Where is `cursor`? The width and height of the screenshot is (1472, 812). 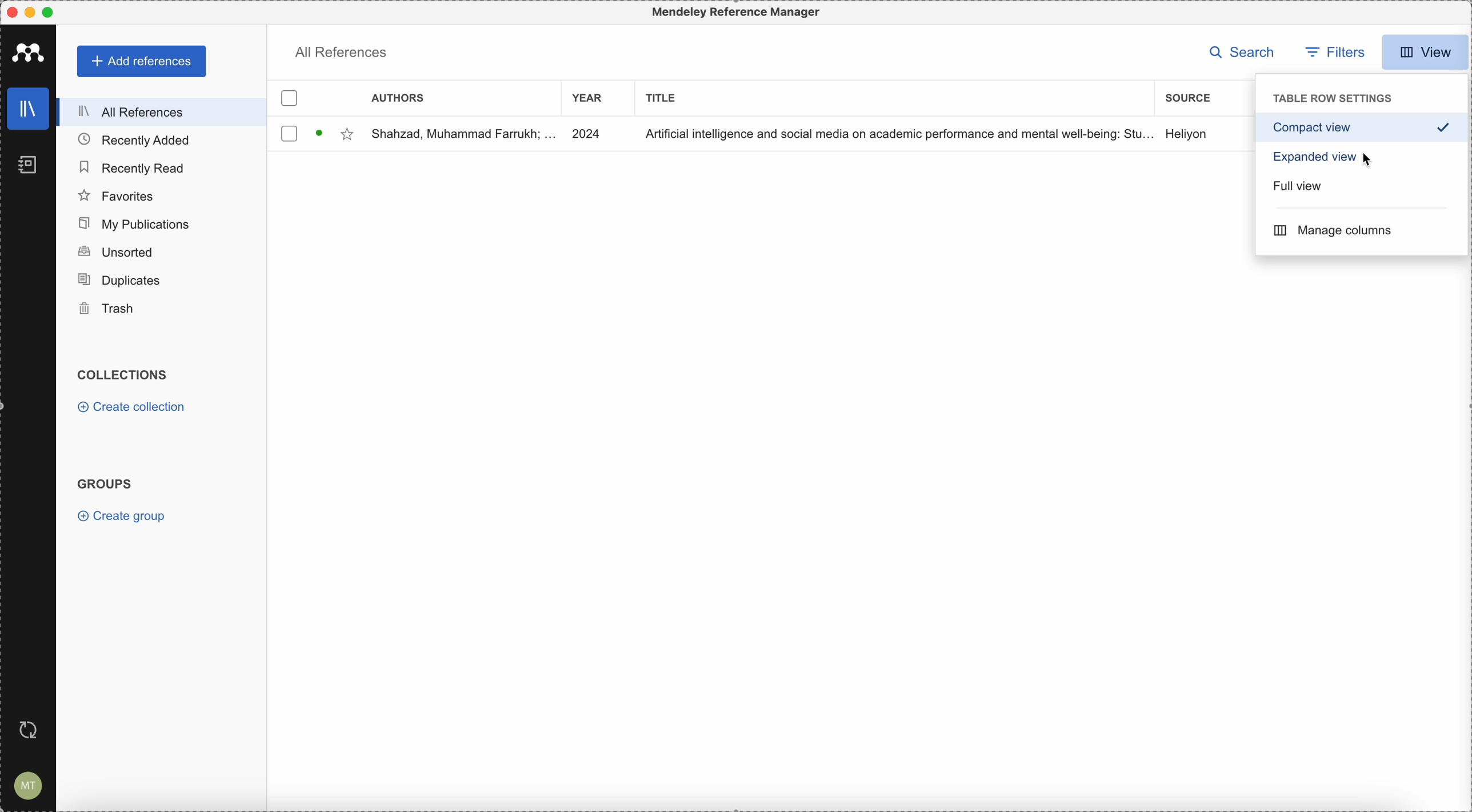
cursor is located at coordinates (1368, 161).